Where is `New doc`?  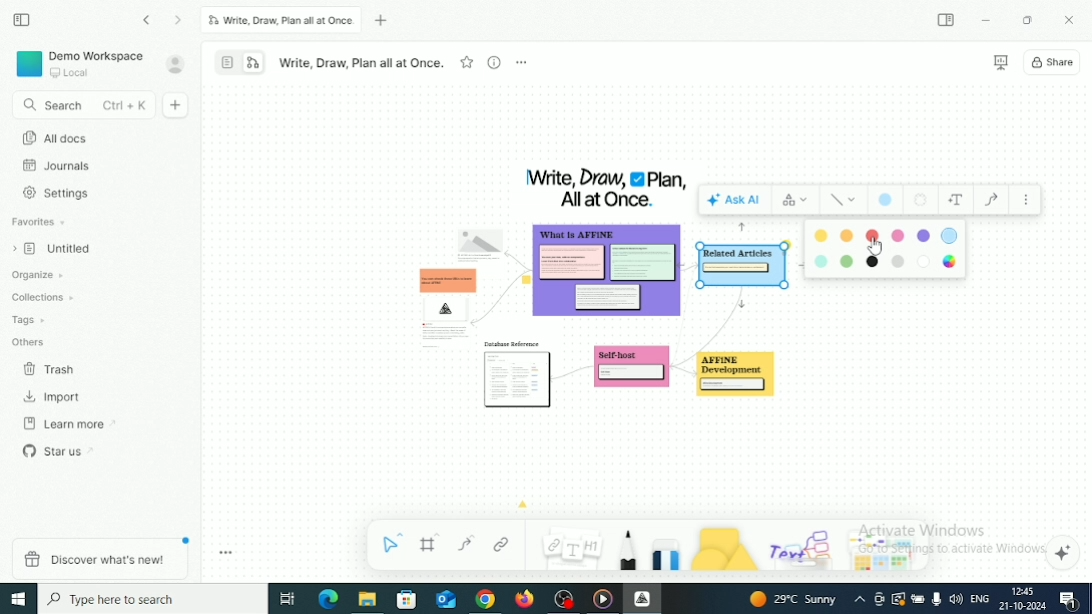
New doc is located at coordinates (177, 105).